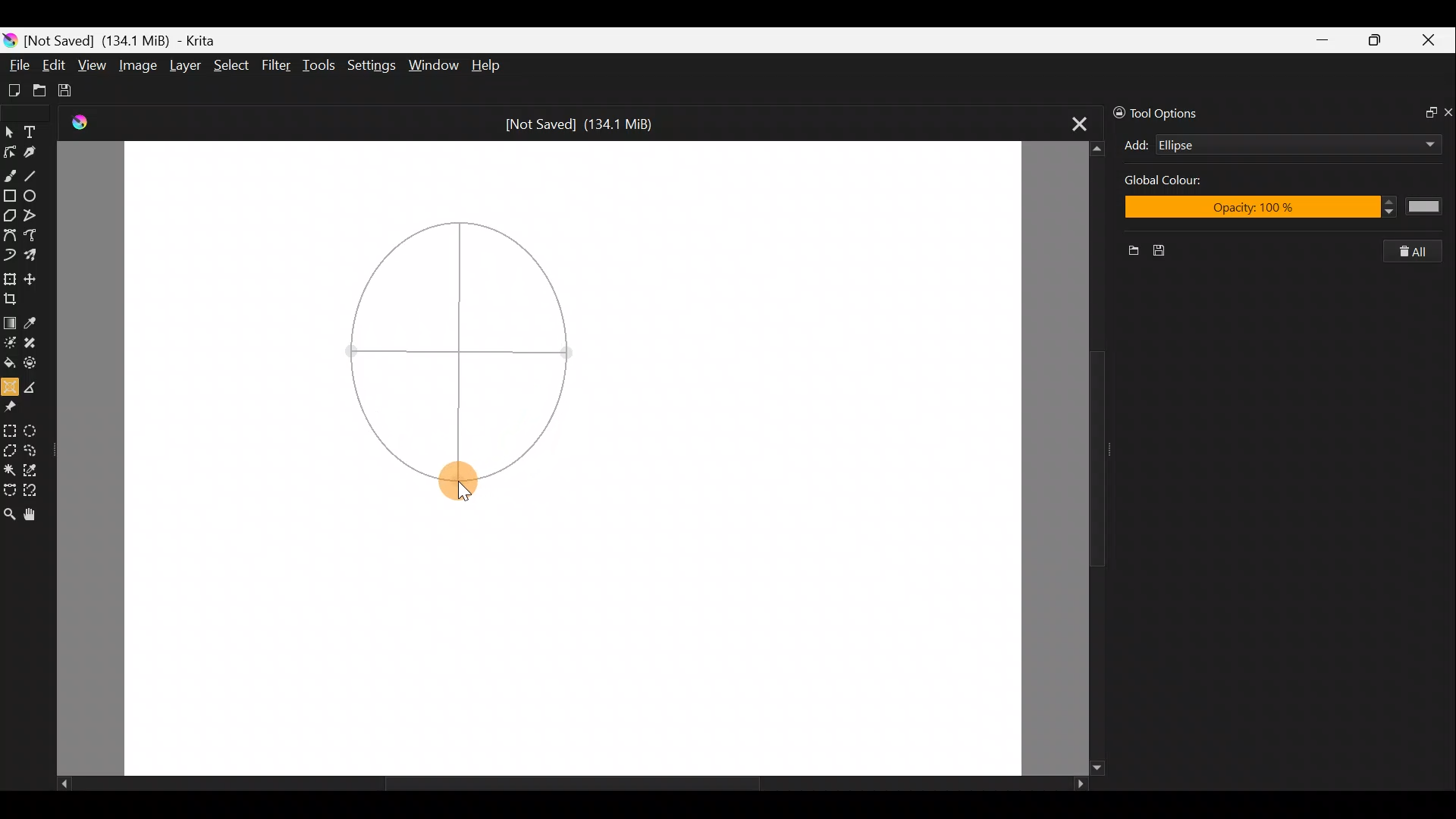 The image size is (1456, 819). Describe the element at coordinates (33, 320) in the screenshot. I see `Sample a colour from image/current layer` at that location.